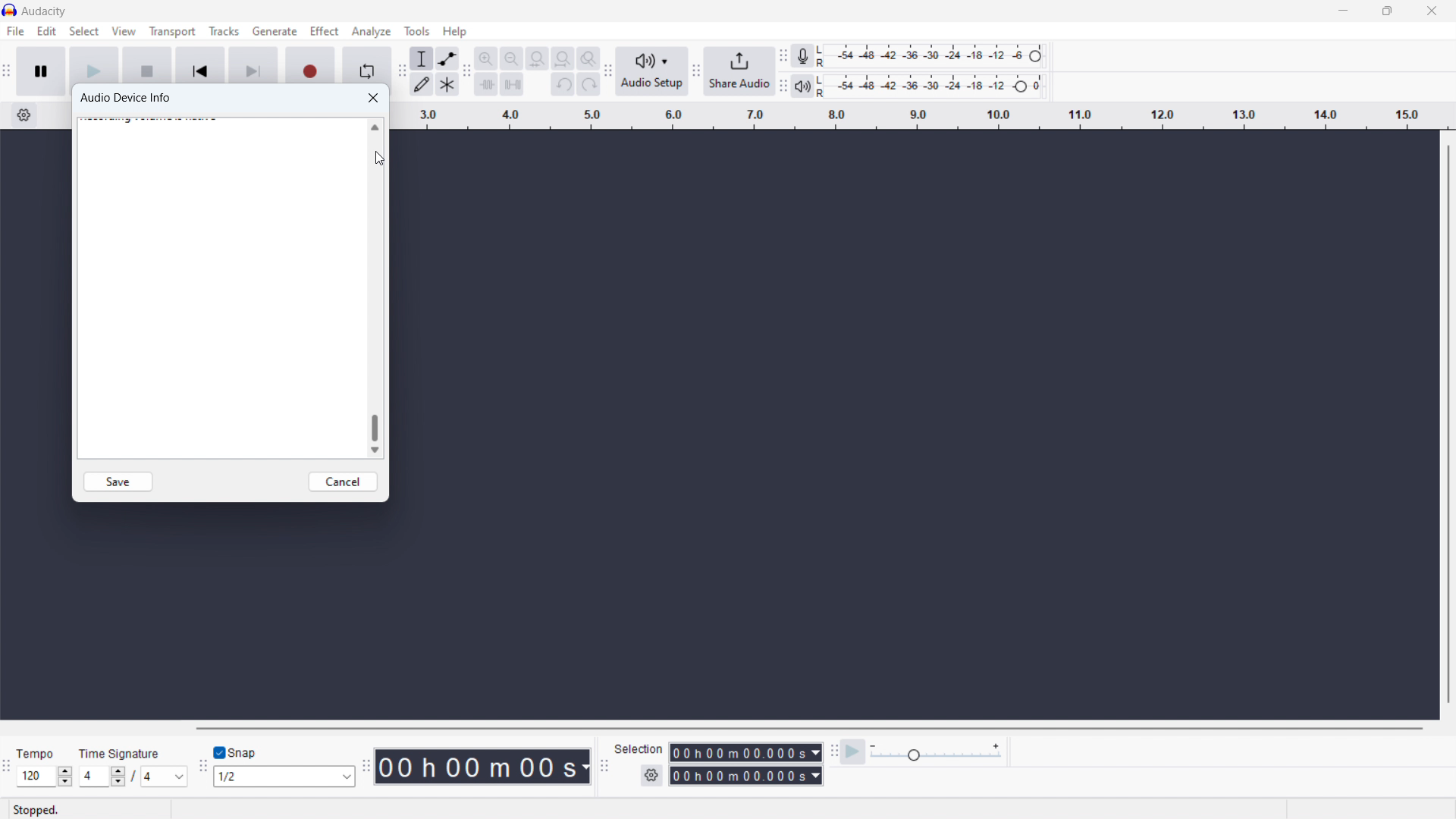 The height and width of the screenshot is (819, 1456). What do you see at coordinates (563, 58) in the screenshot?
I see `fit project to width` at bounding box center [563, 58].